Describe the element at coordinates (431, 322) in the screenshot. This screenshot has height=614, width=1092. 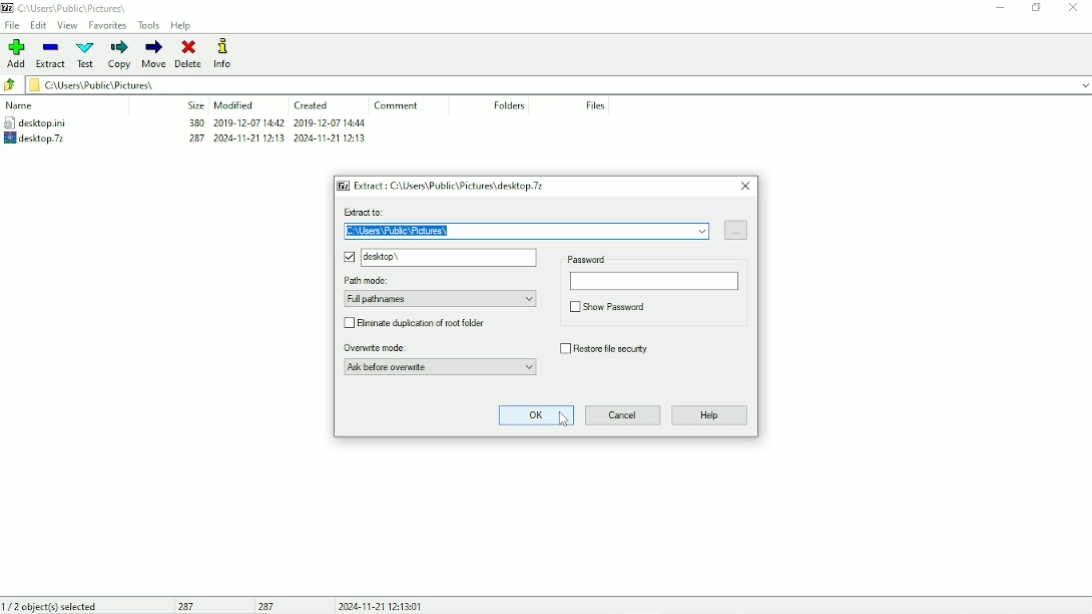
I see `Eliminate duplication of root folder` at that location.